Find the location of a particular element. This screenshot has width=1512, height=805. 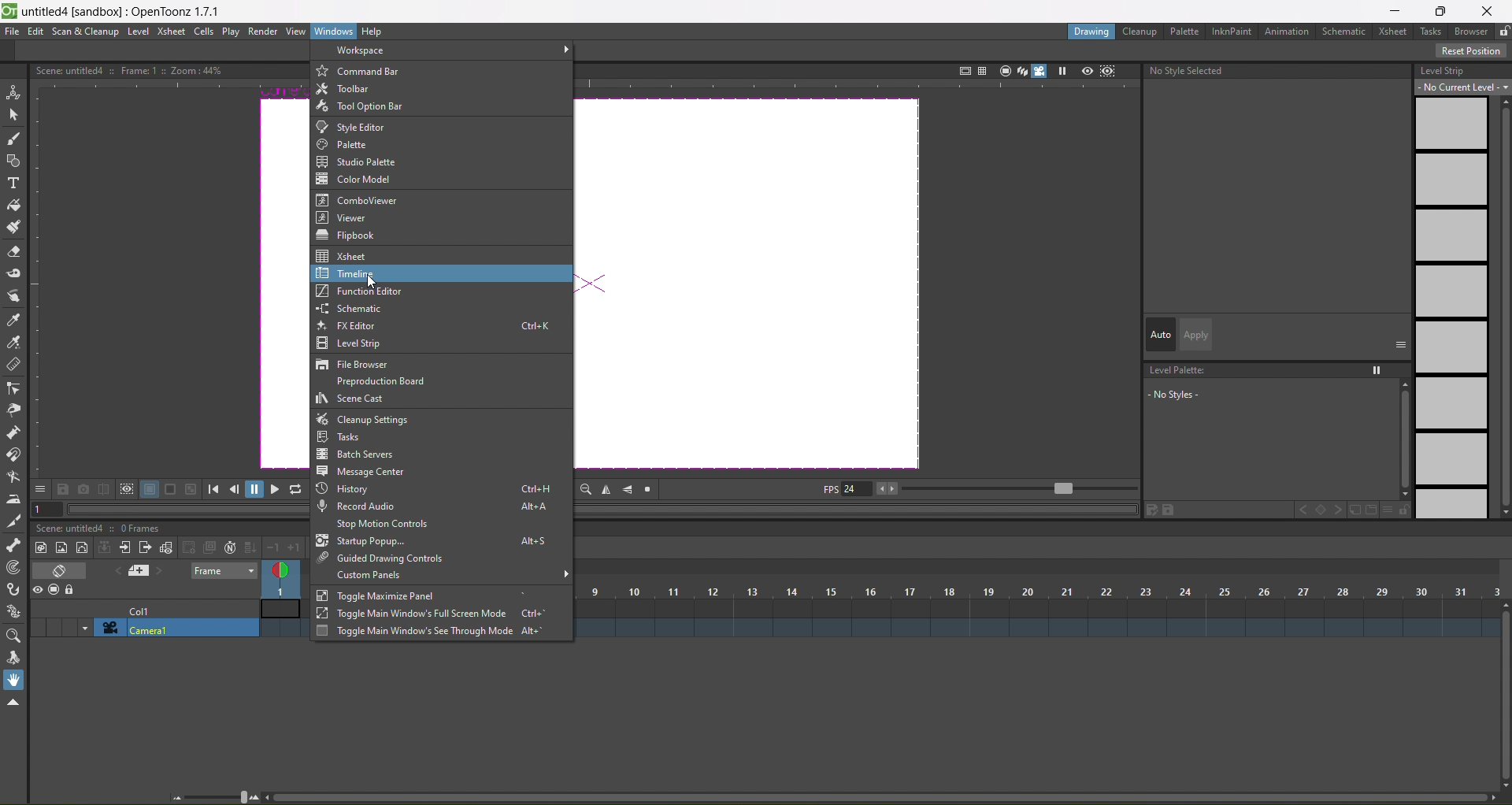

browser is located at coordinates (1471, 32).